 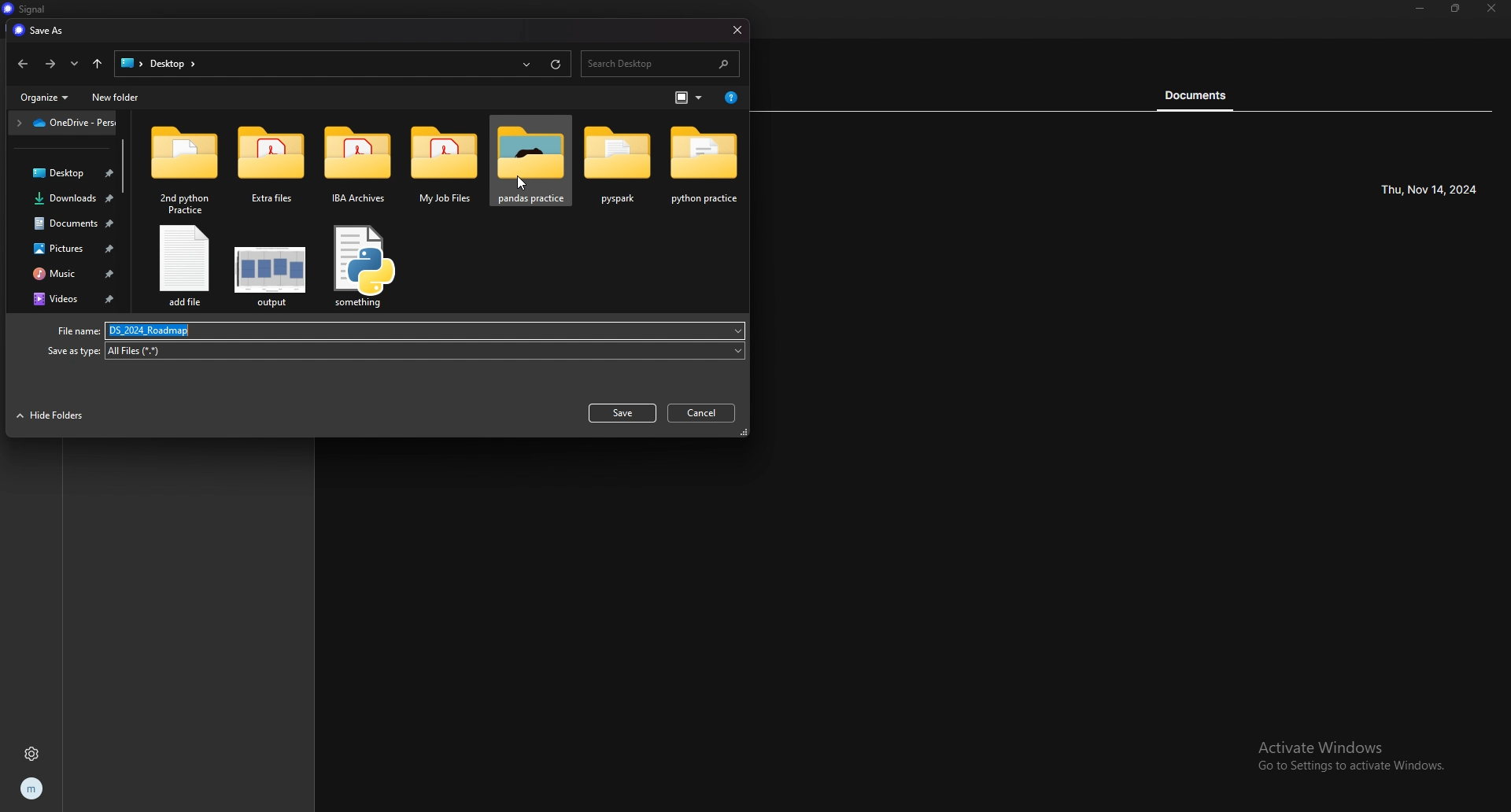 I want to click on get help, so click(x=732, y=98).